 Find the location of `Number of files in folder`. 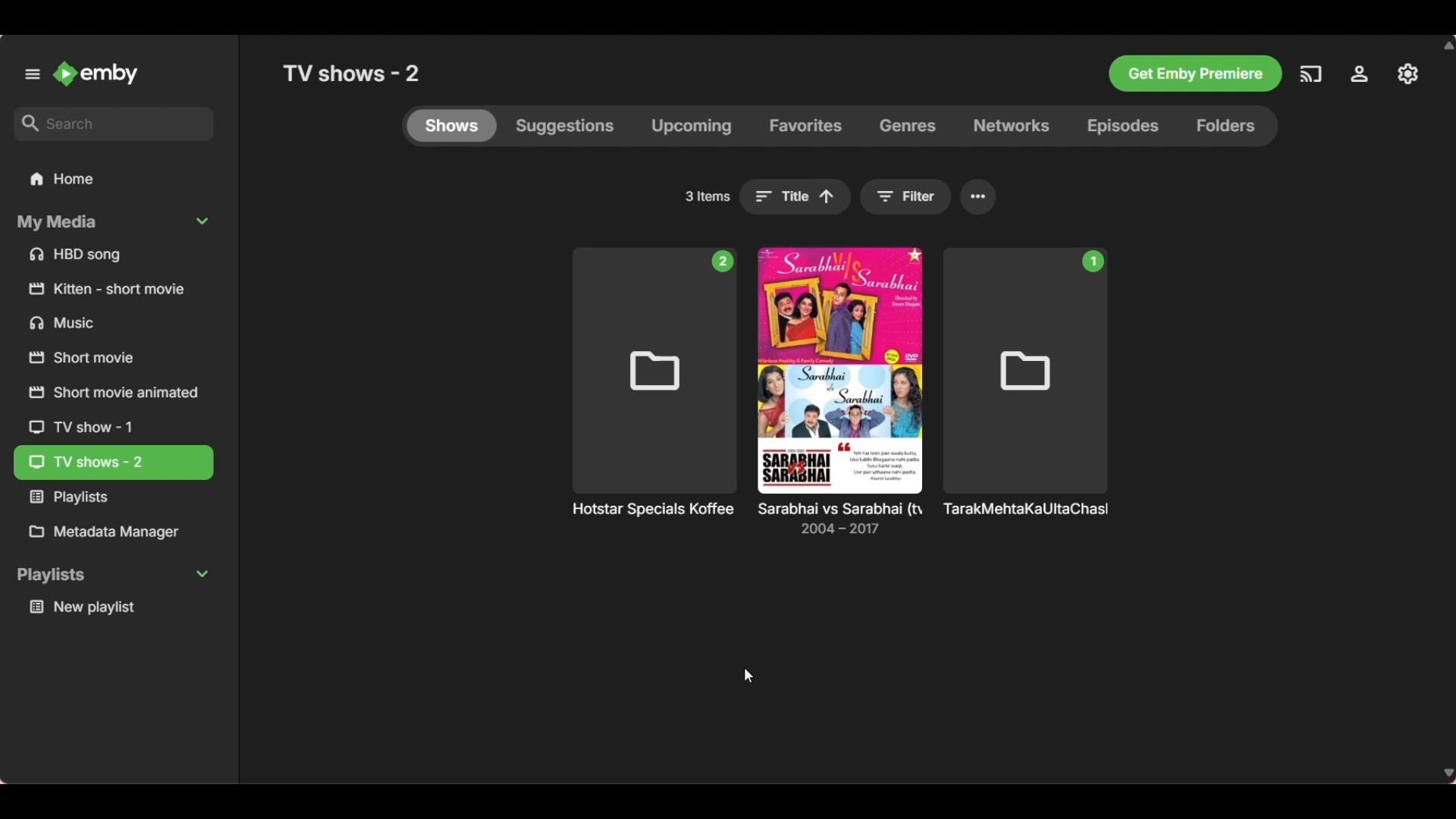

Number of files in folder is located at coordinates (723, 261).